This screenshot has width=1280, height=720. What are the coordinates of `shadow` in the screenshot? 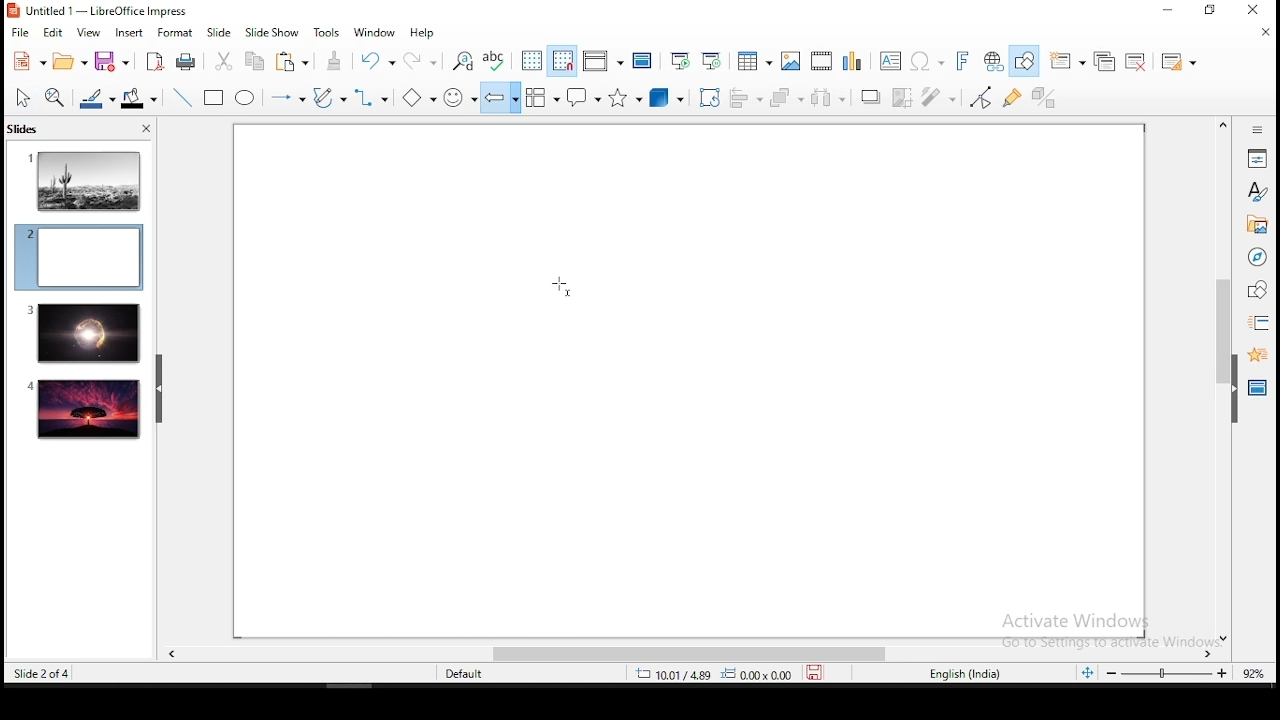 It's located at (870, 95).